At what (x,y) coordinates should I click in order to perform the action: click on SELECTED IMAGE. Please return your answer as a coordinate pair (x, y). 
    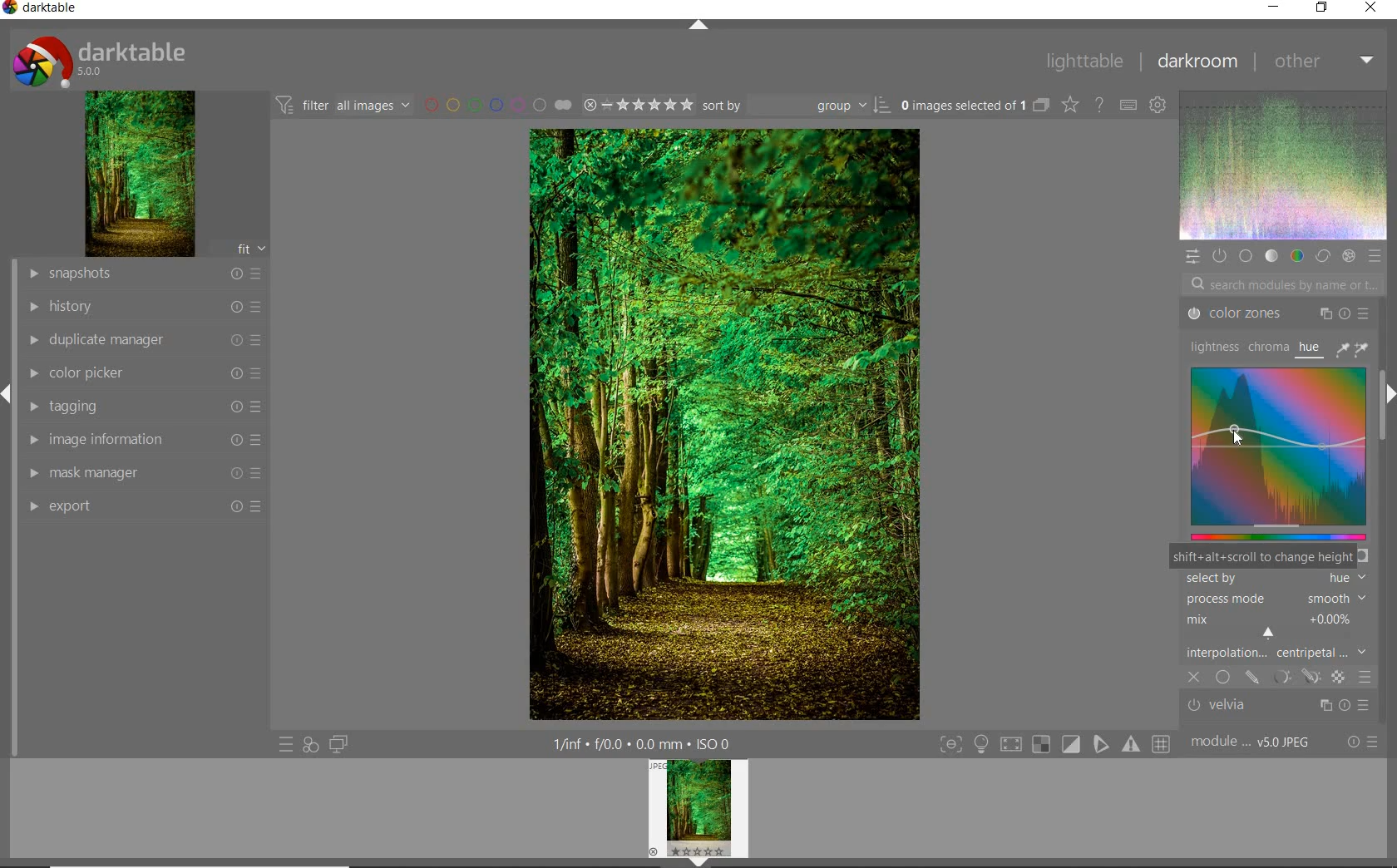
    Looking at the image, I should click on (725, 423).